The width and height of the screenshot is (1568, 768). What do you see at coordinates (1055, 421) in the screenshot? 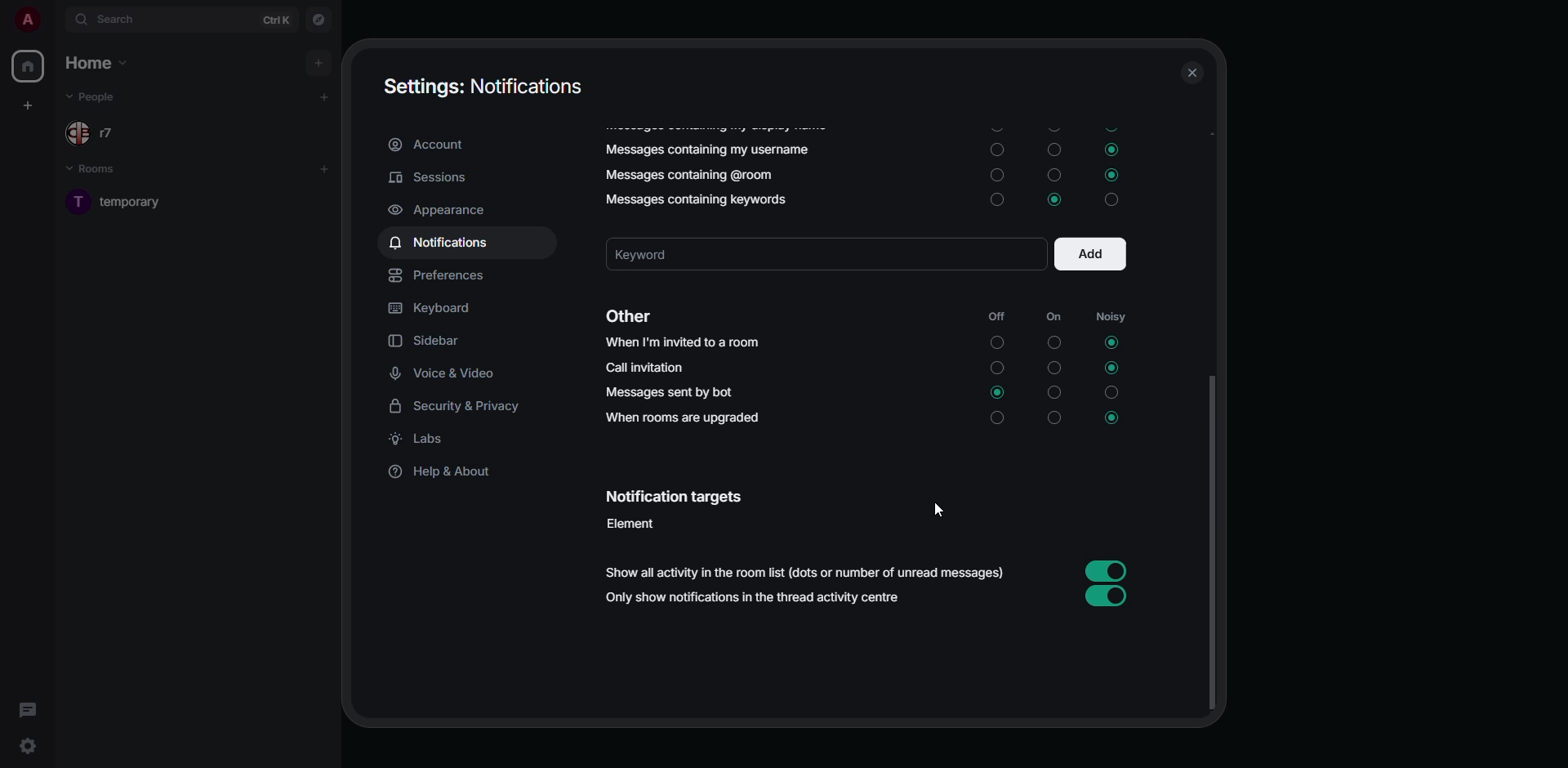
I see `On` at bounding box center [1055, 421].